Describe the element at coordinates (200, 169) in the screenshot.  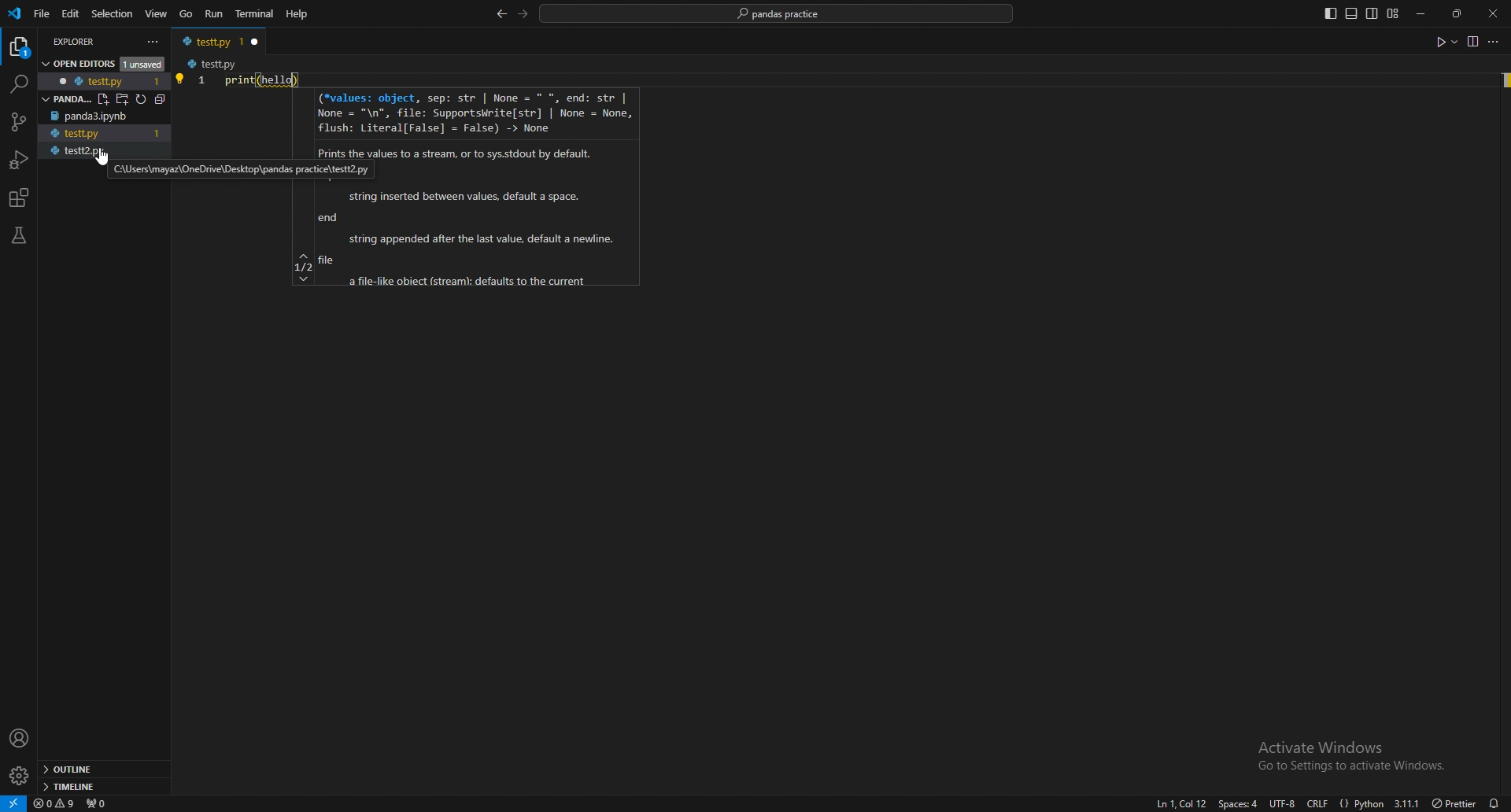
I see `C:\Users\mayaz\OneDrive\Desktop\pand:` at that location.